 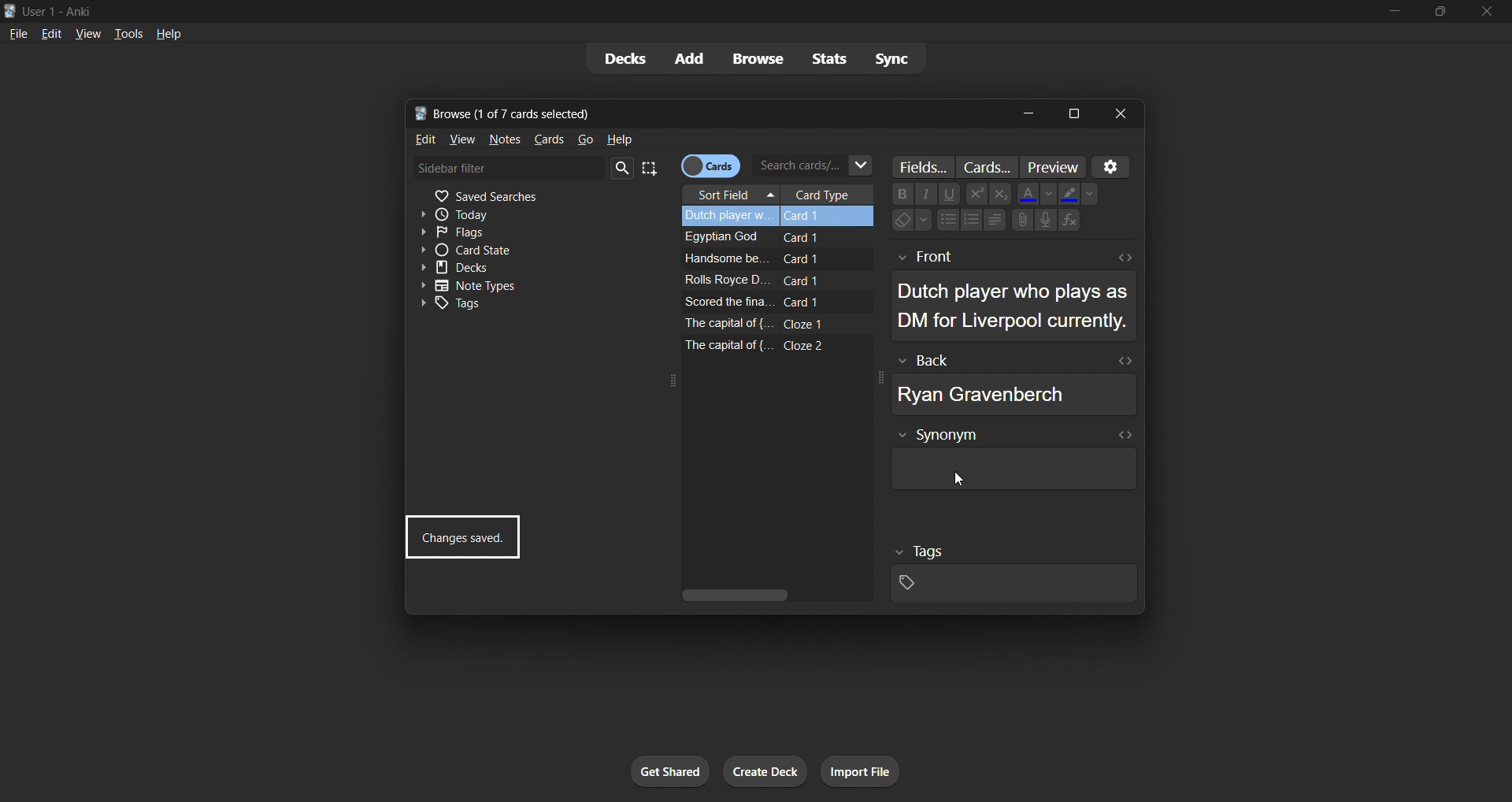 I want to click on underline, so click(x=950, y=194).